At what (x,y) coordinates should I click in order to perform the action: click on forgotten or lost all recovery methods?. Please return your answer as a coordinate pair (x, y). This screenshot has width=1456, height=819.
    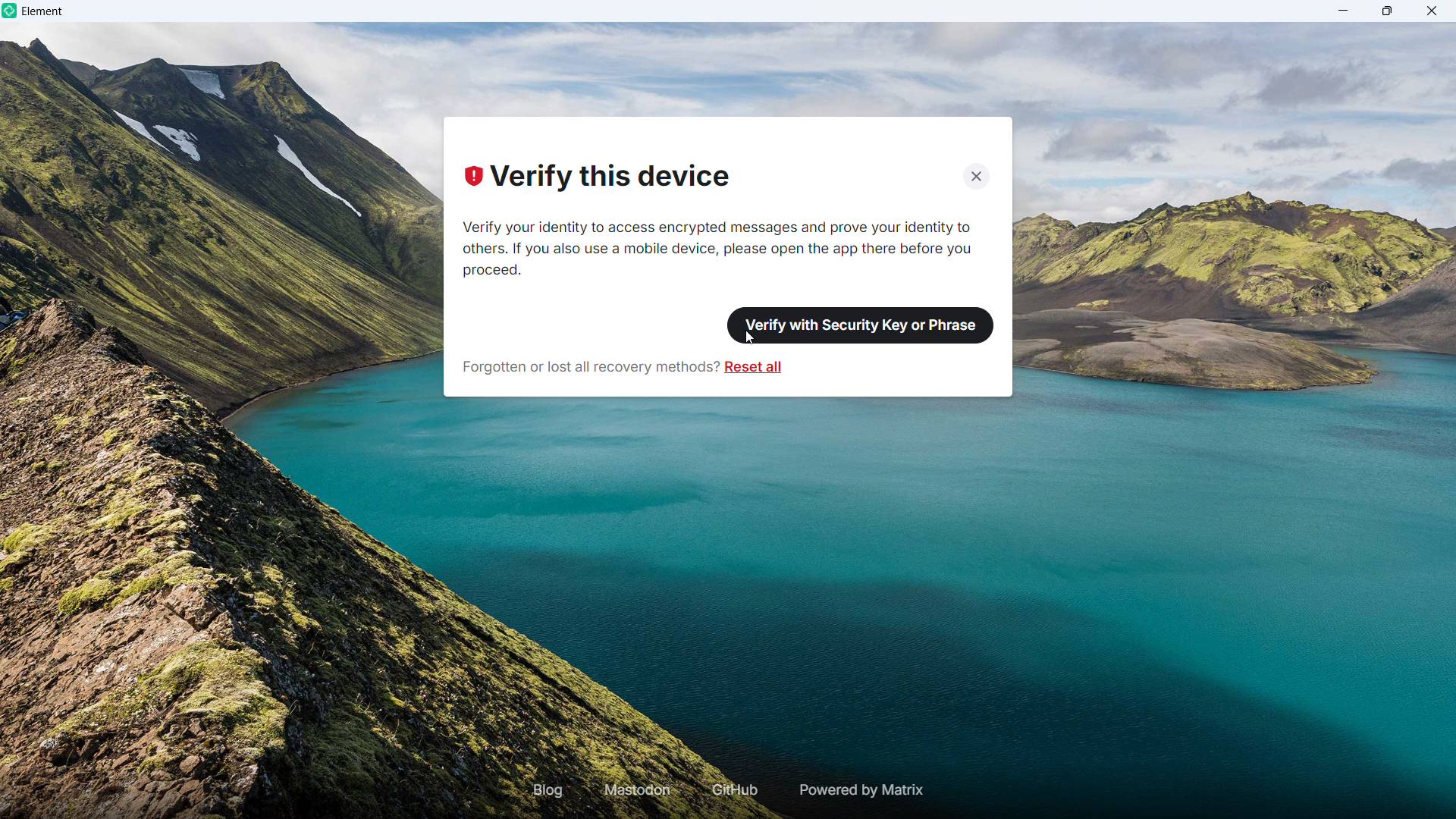
    Looking at the image, I should click on (589, 366).